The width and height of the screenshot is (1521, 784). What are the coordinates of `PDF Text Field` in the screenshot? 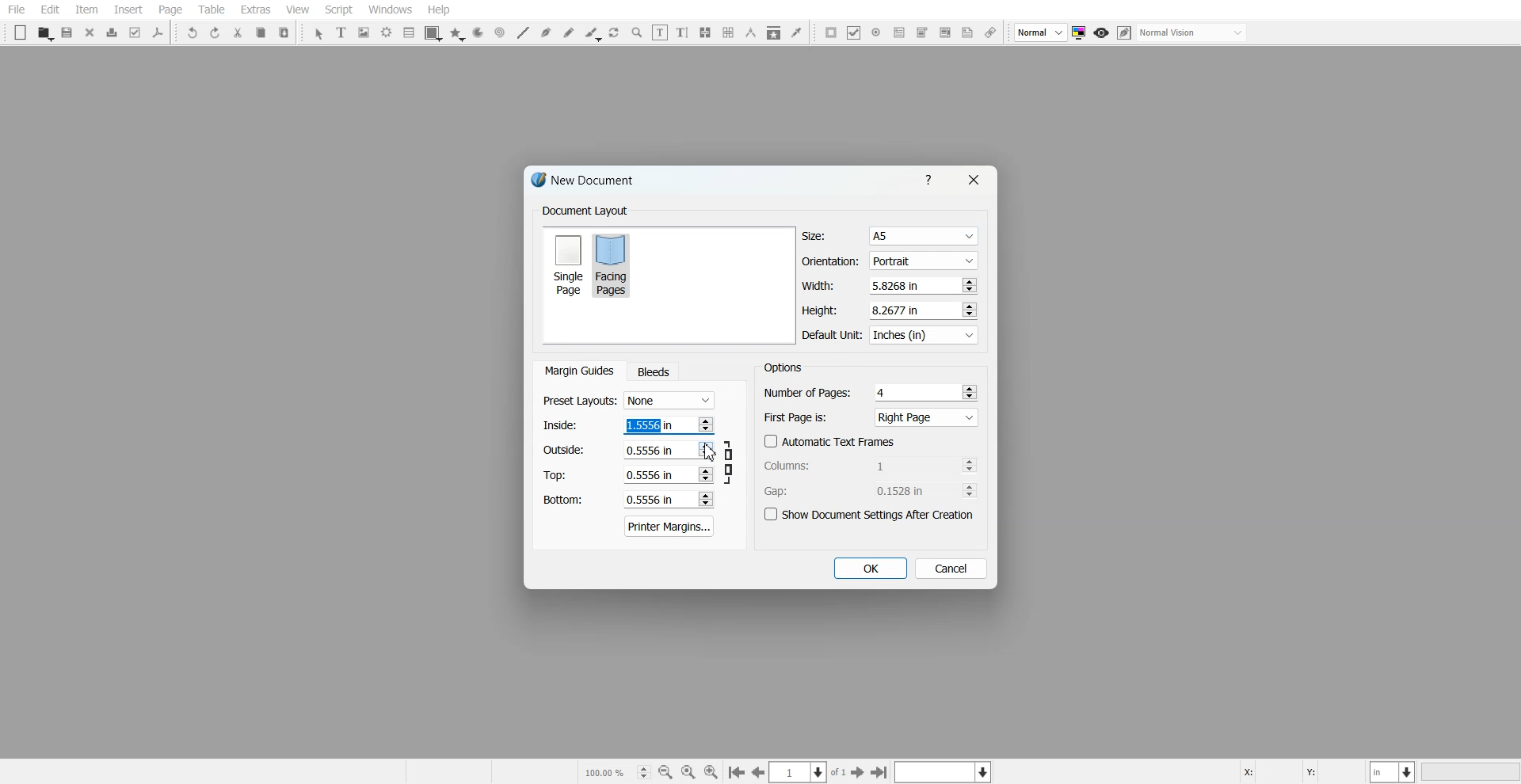 It's located at (899, 32).